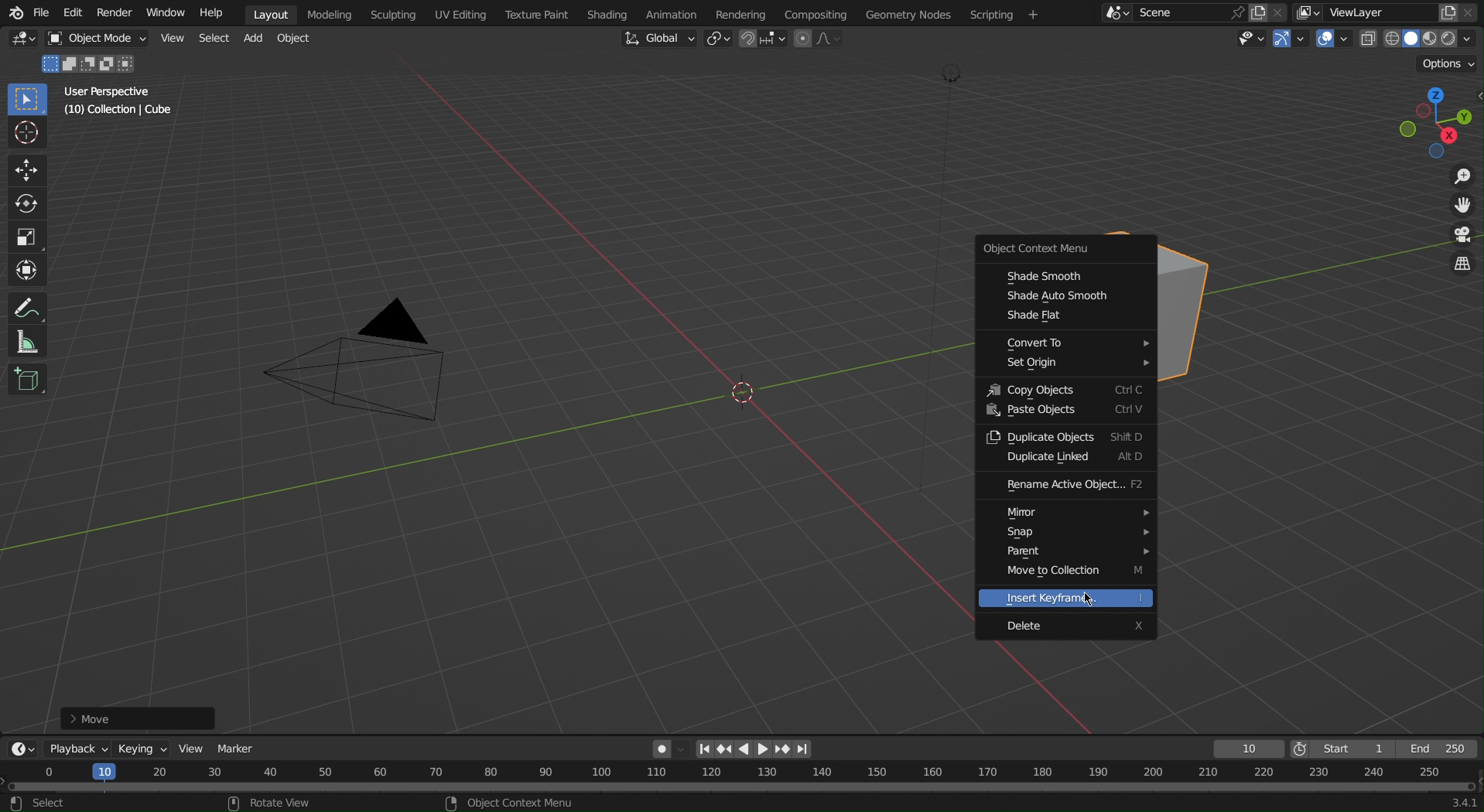  I want to click on Transform Pivot Point, so click(721, 40).